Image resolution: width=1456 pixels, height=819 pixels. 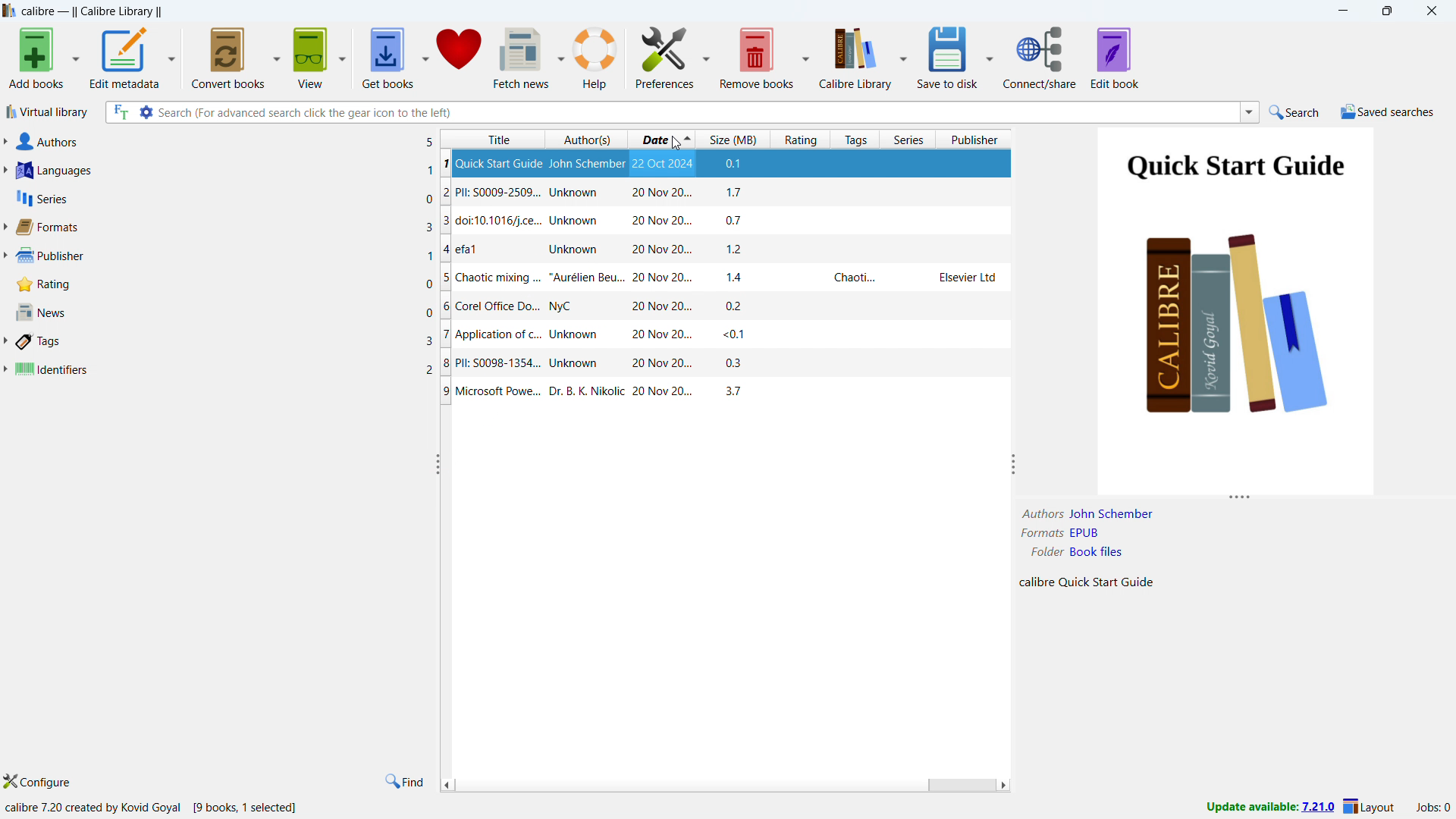 What do you see at coordinates (960, 278) in the screenshot?
I see `Elsevier Ltd` at bounding box center [960, 278].